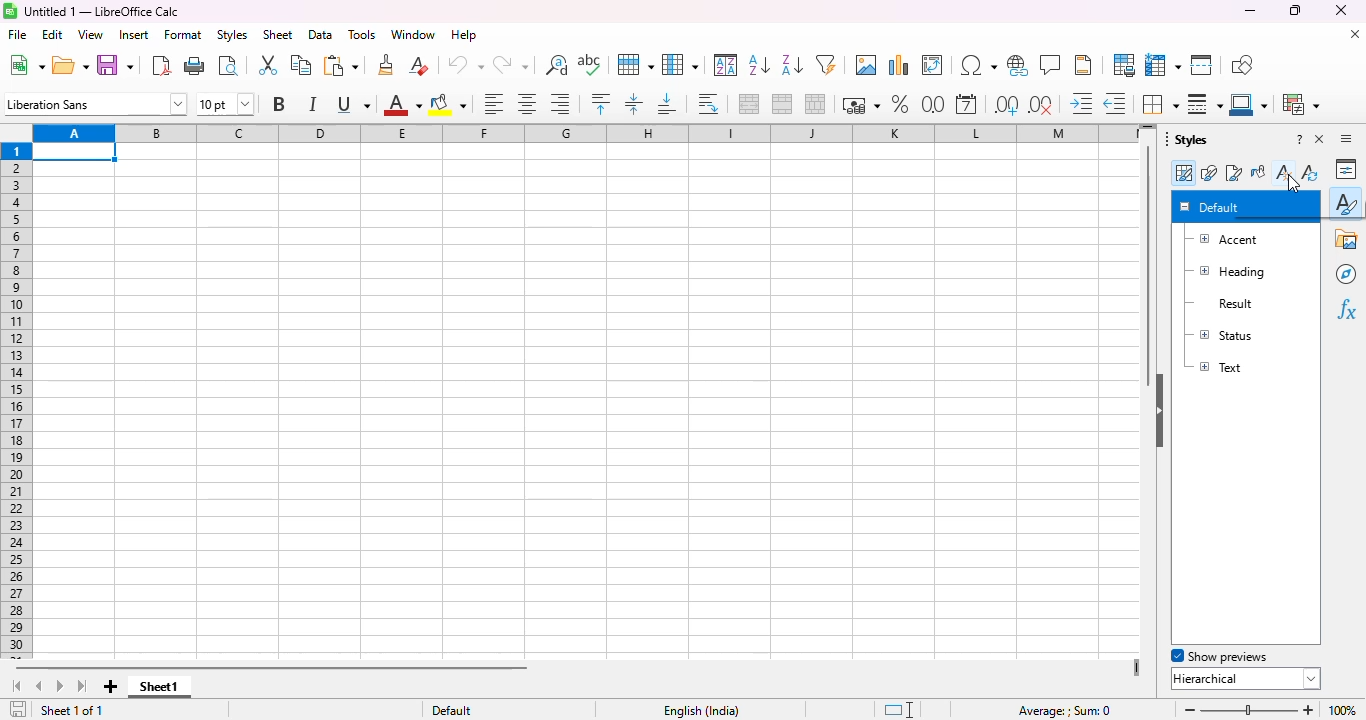 The width and height of the screenshot is (1366, 720). Describe the element at coordinates (494, 103) in the screenshot. I see `align left` at that location.